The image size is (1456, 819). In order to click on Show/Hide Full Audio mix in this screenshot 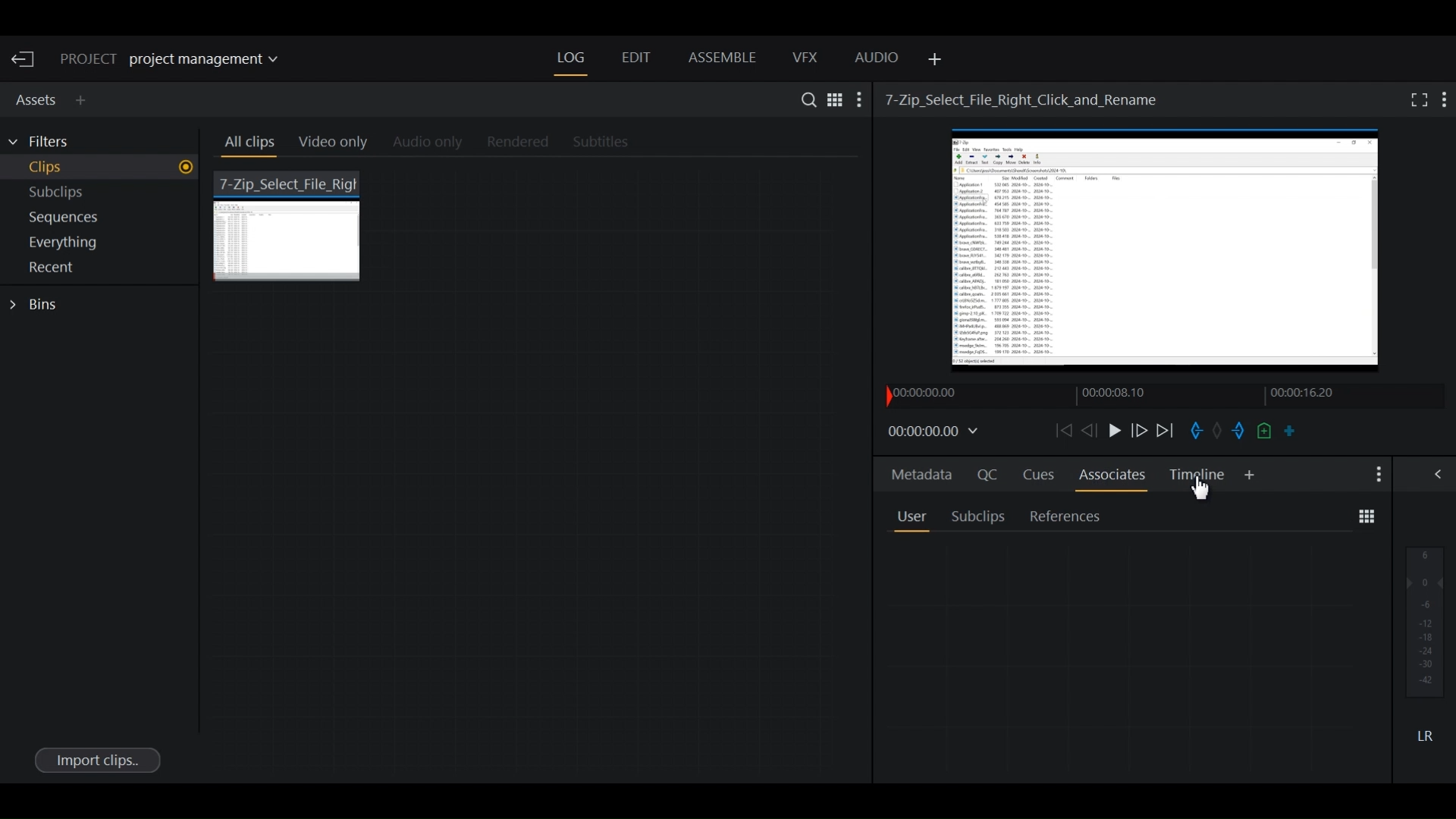, I will do `click(1441, 473)`.